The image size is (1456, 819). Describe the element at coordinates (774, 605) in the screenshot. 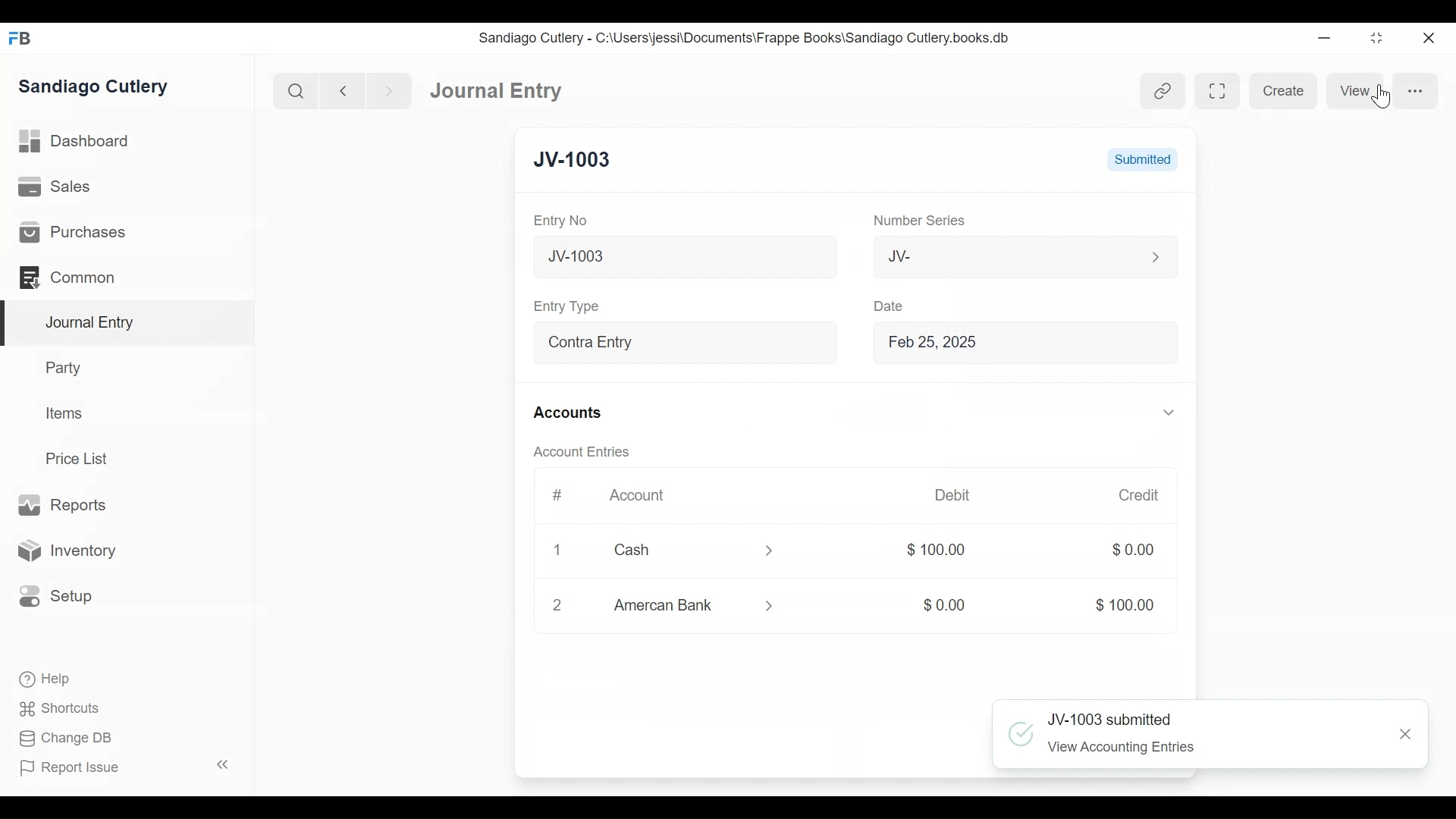

I see `Expand` at that location.